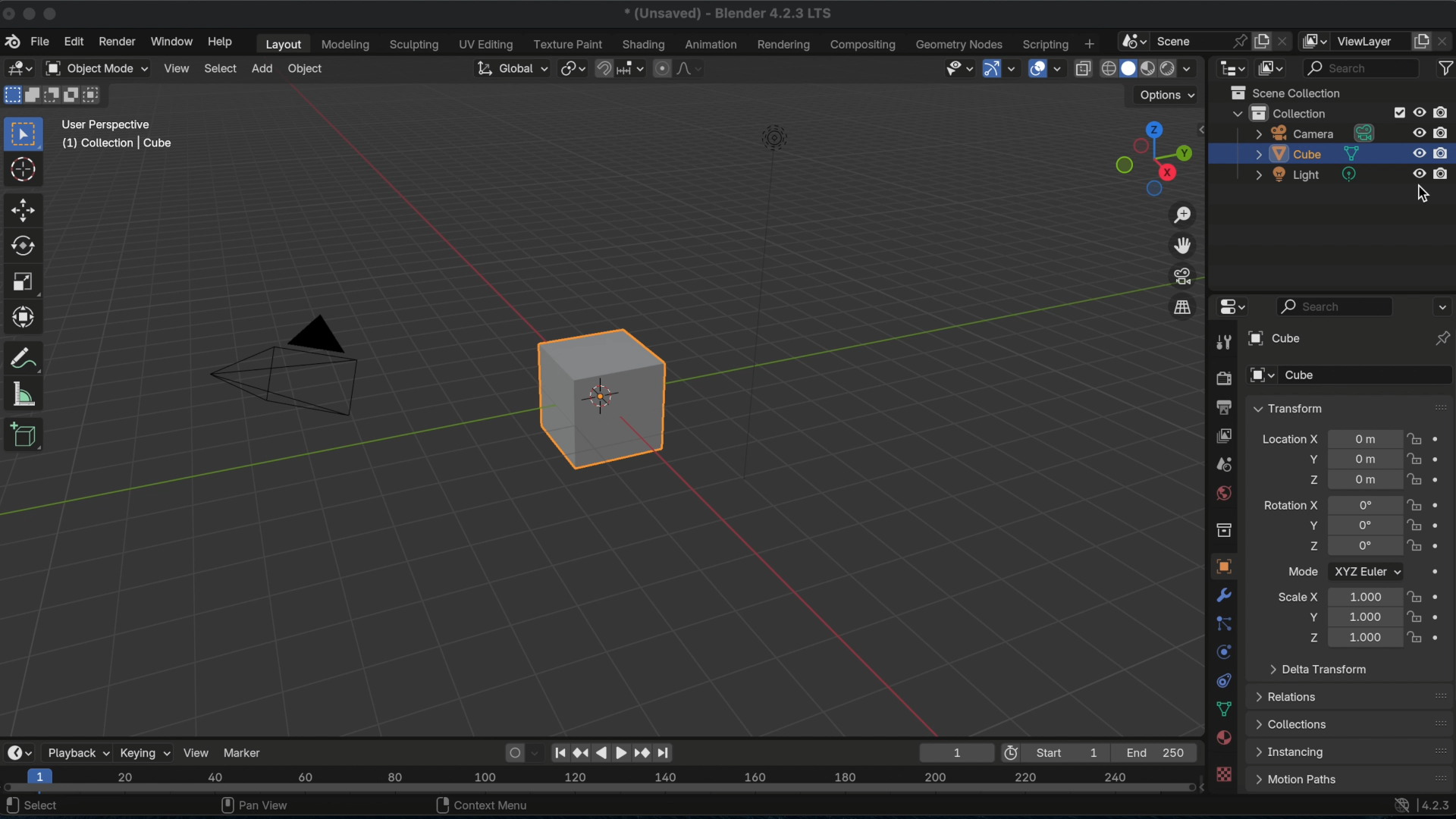 The width and height of the screenshot is (1456, 819). I want to click on show overlays dropdown, so click(1047, 67).